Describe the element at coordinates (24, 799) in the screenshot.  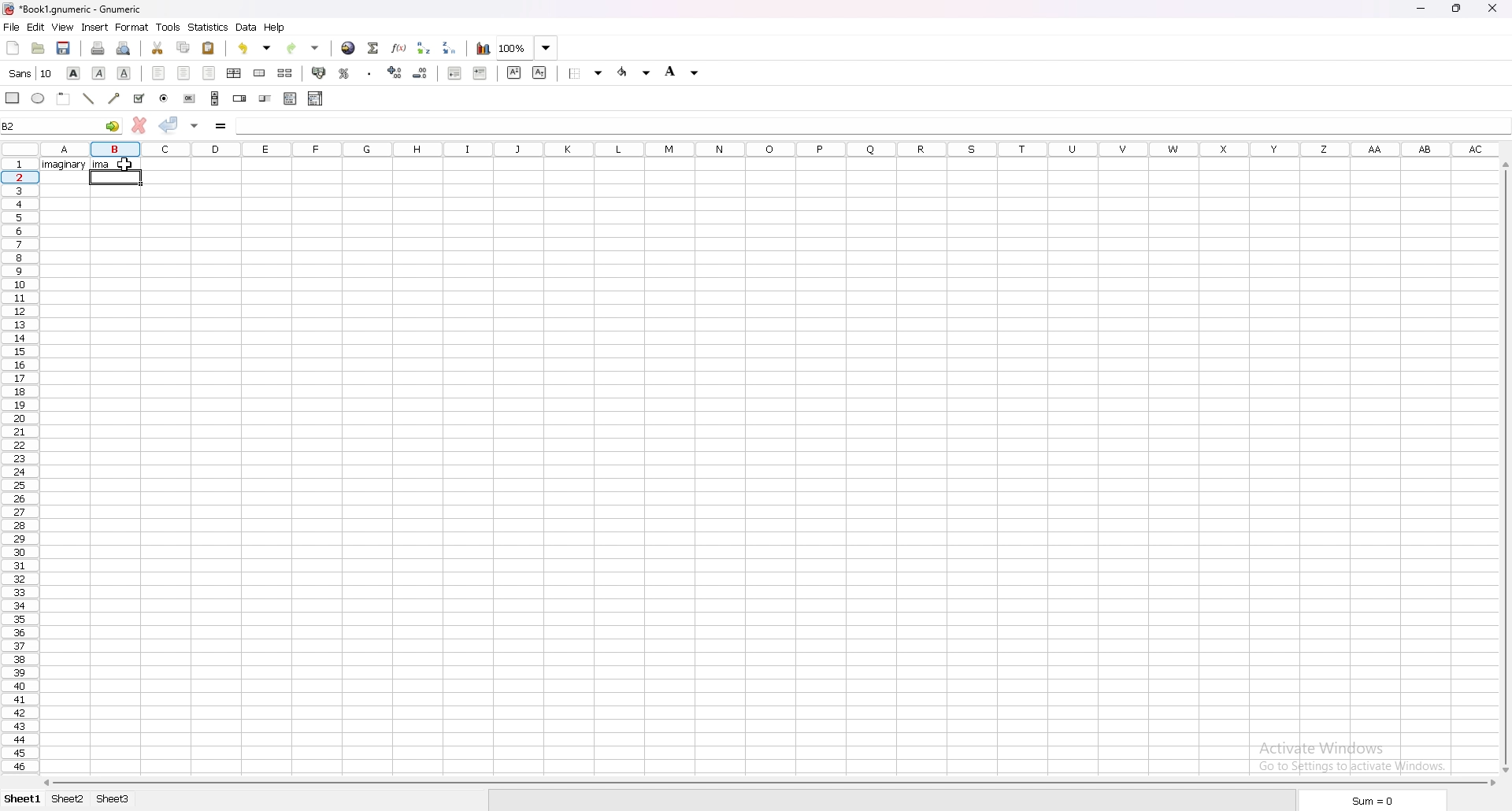
I see `sheet 1` at that location.